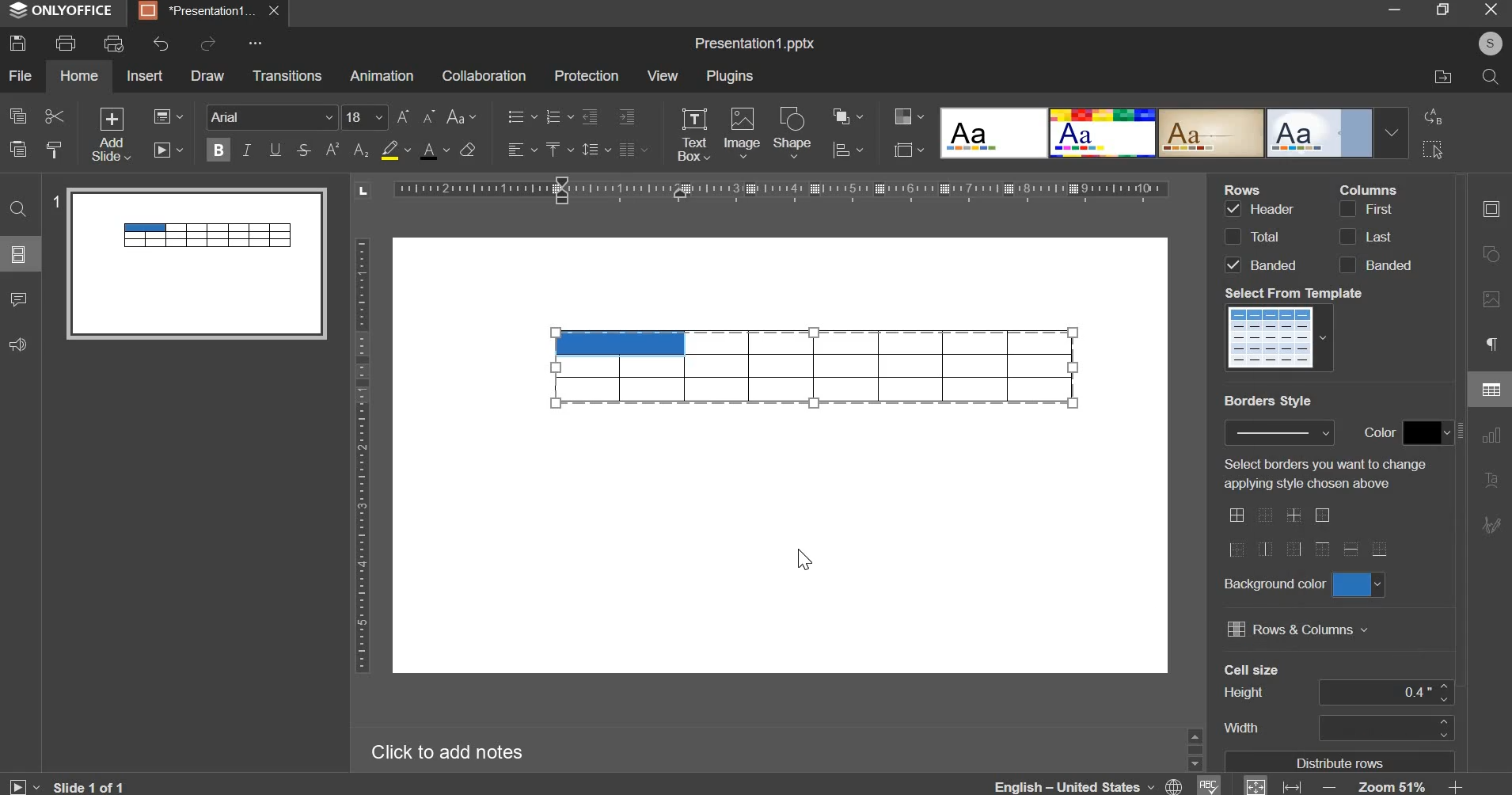  Describe the element at coordinates (663, 75) in the screenshot. I see `view` at that location.